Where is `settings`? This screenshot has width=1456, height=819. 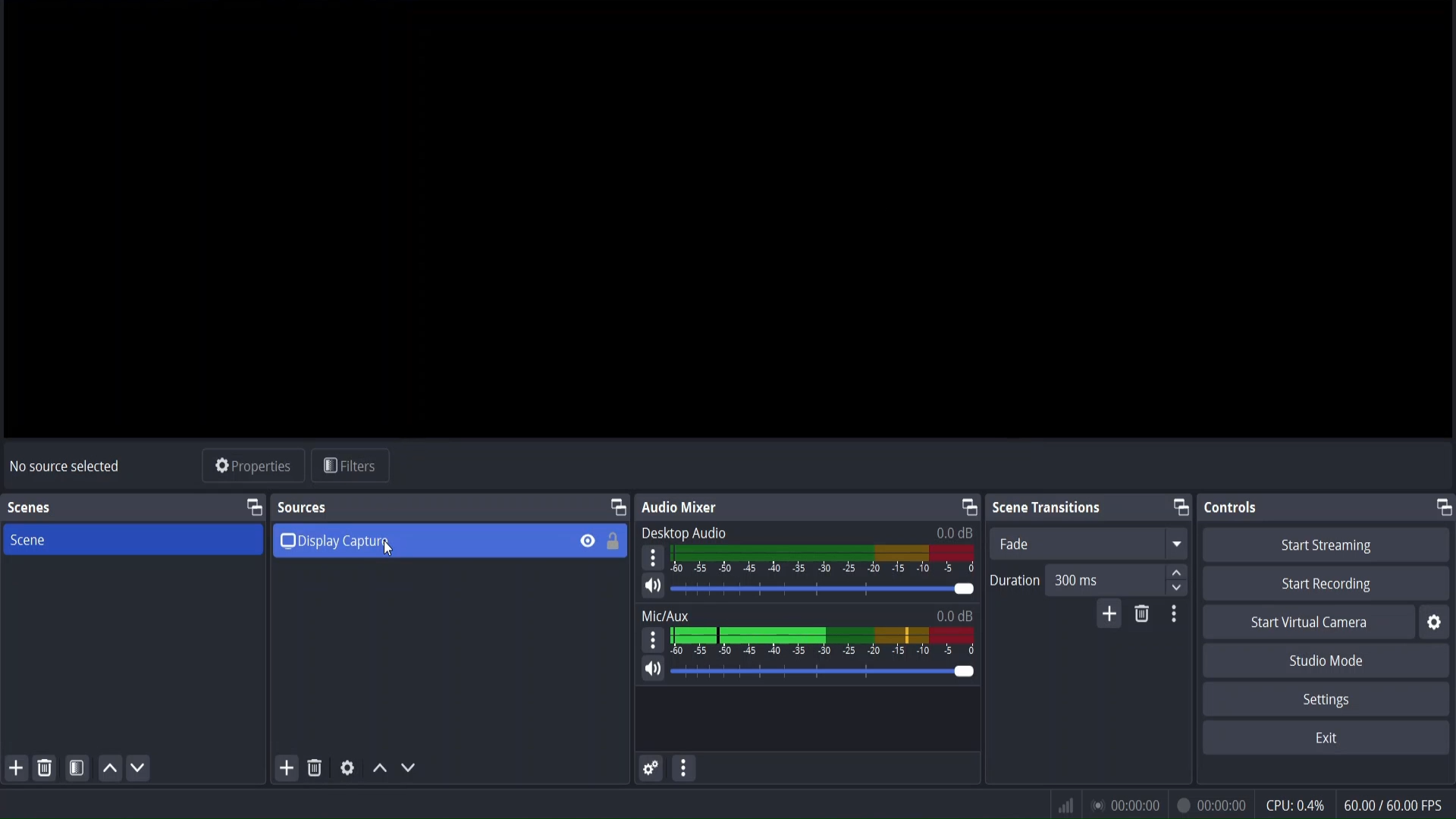 settings is located at coordinates (1323, 699).